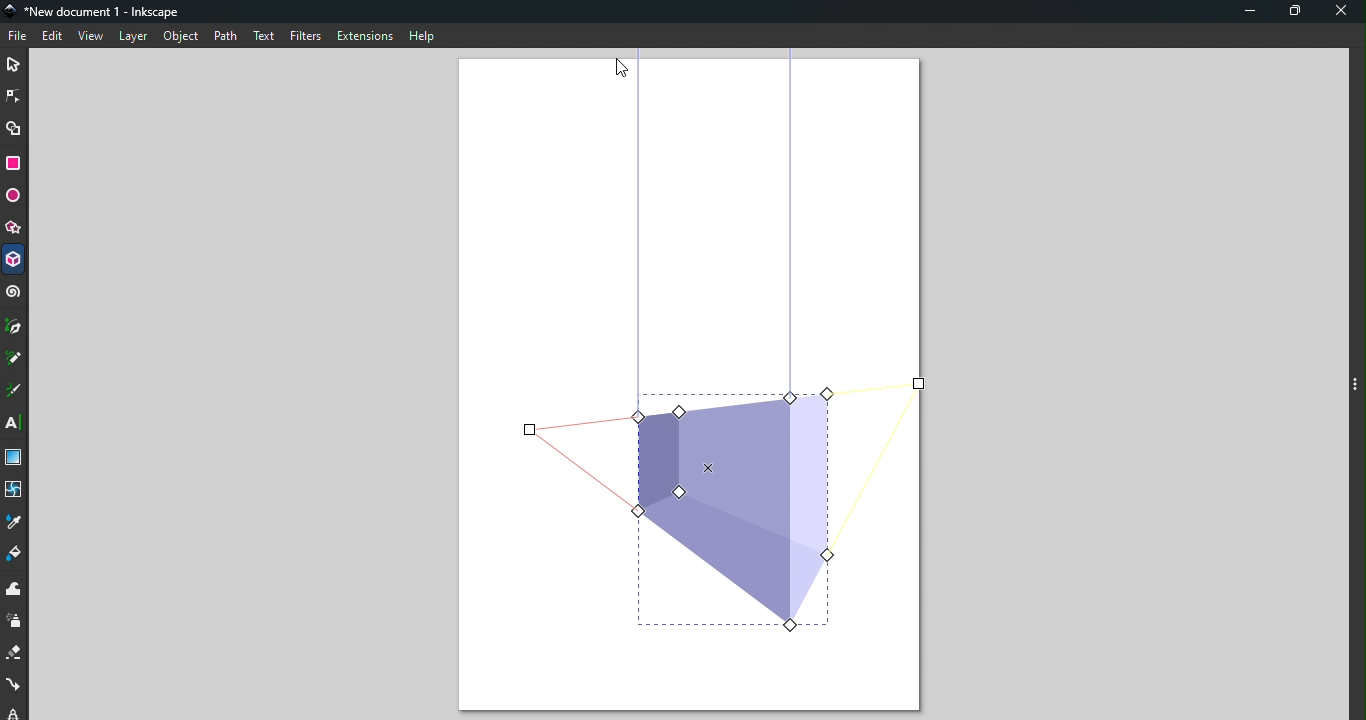 This screenshot has height=720, width=1366. What do you see at coordinates (624, 70) in the screenshot?
I see `Cursor` at bounding box center [624, 70].